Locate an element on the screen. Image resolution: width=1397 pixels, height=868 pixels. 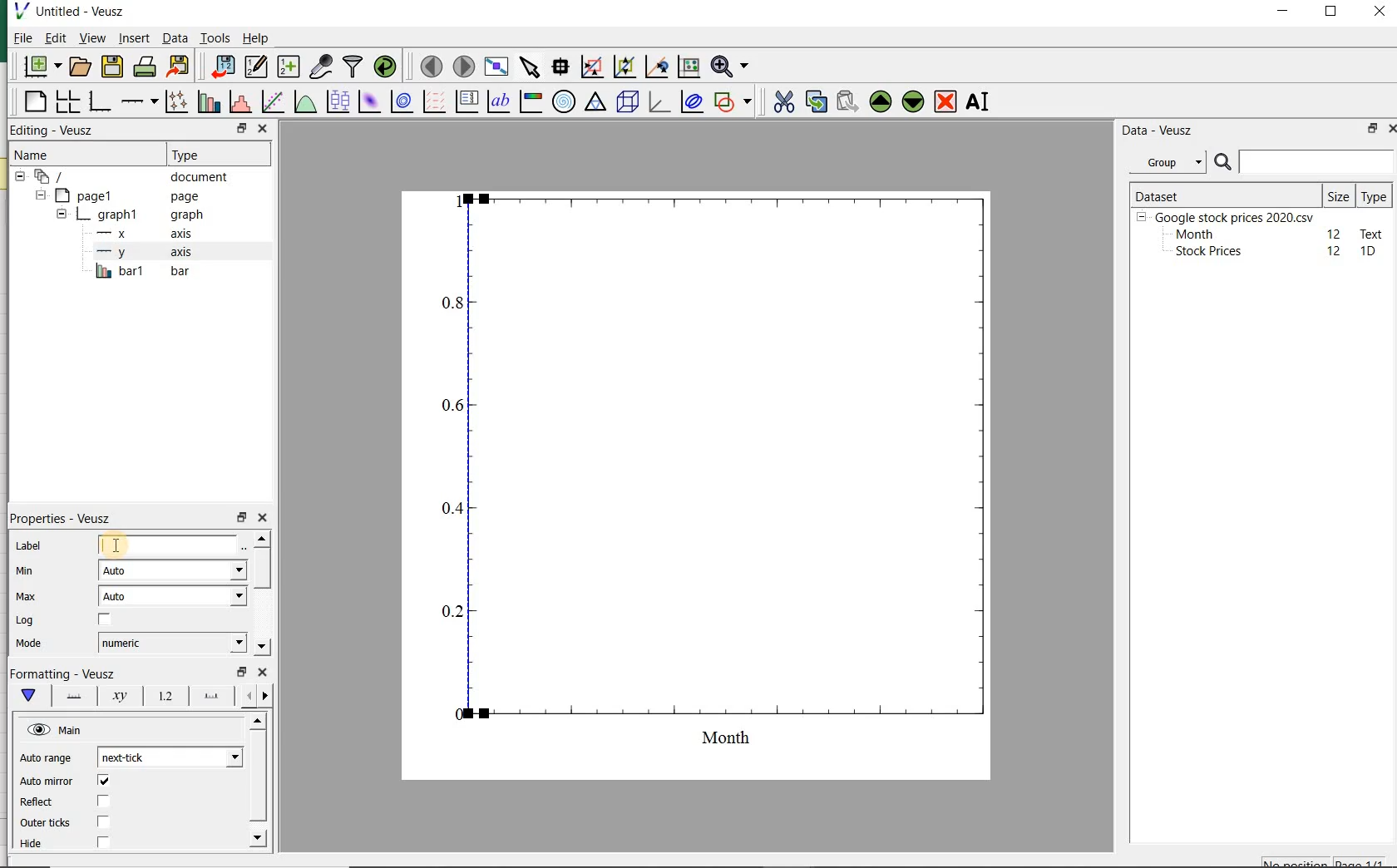
ternary graph is located at coordinates (595, 103).